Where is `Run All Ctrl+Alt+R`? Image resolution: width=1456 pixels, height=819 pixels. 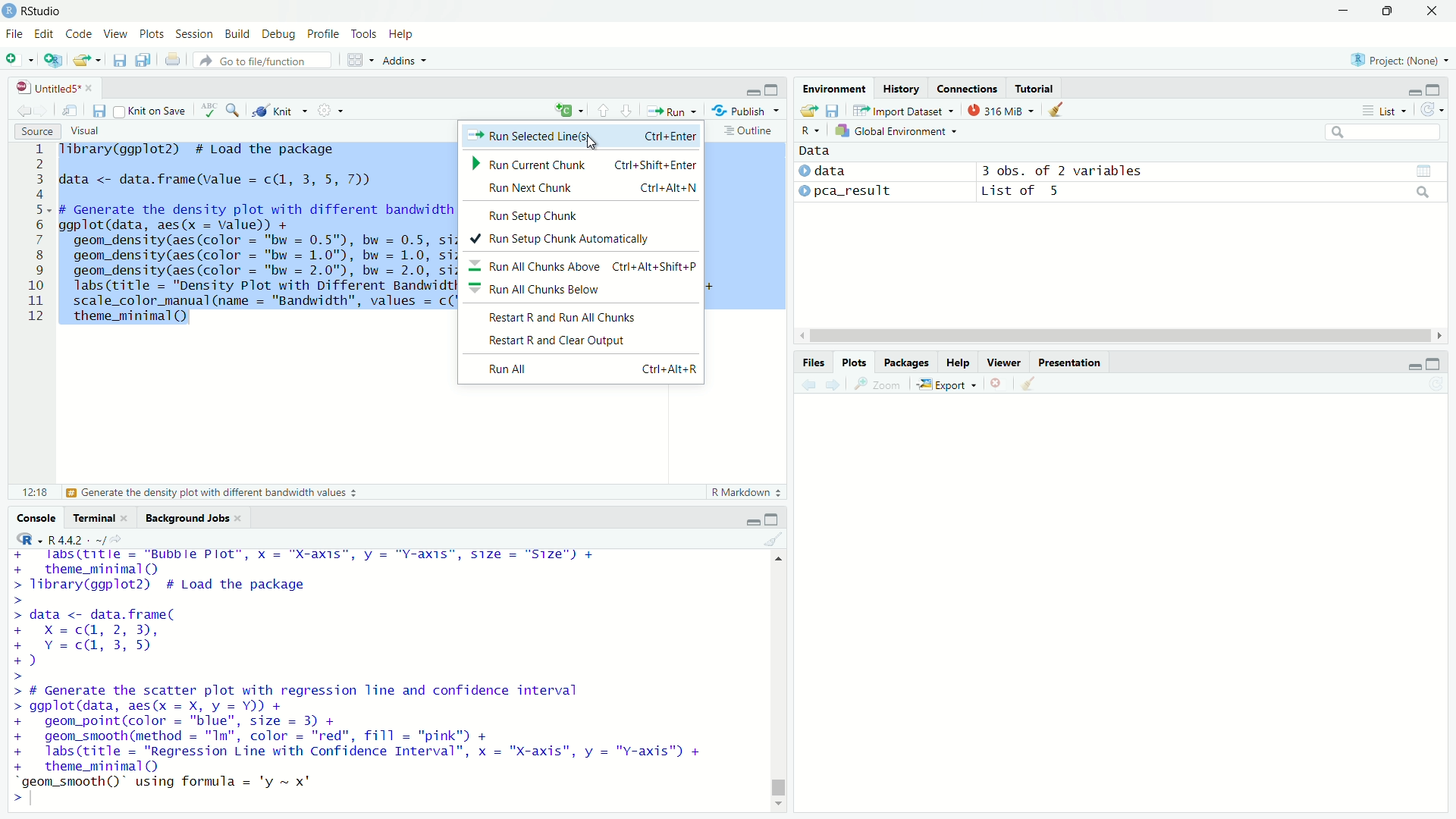
Run All Ctrl+Alt+R is located at coordinates (581, 369).